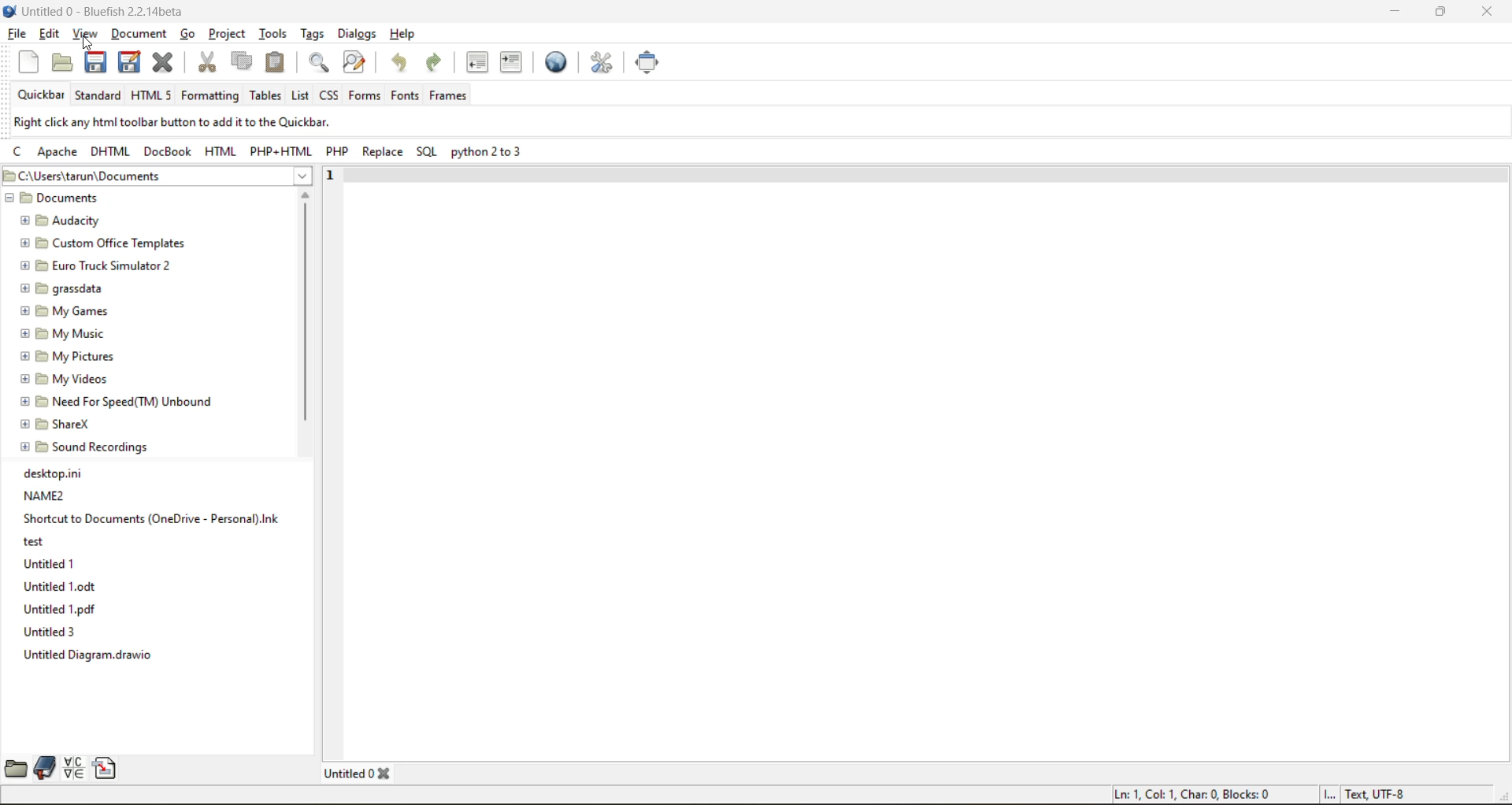  I want to click on Untitled 1.0dt, so click(68, 585).